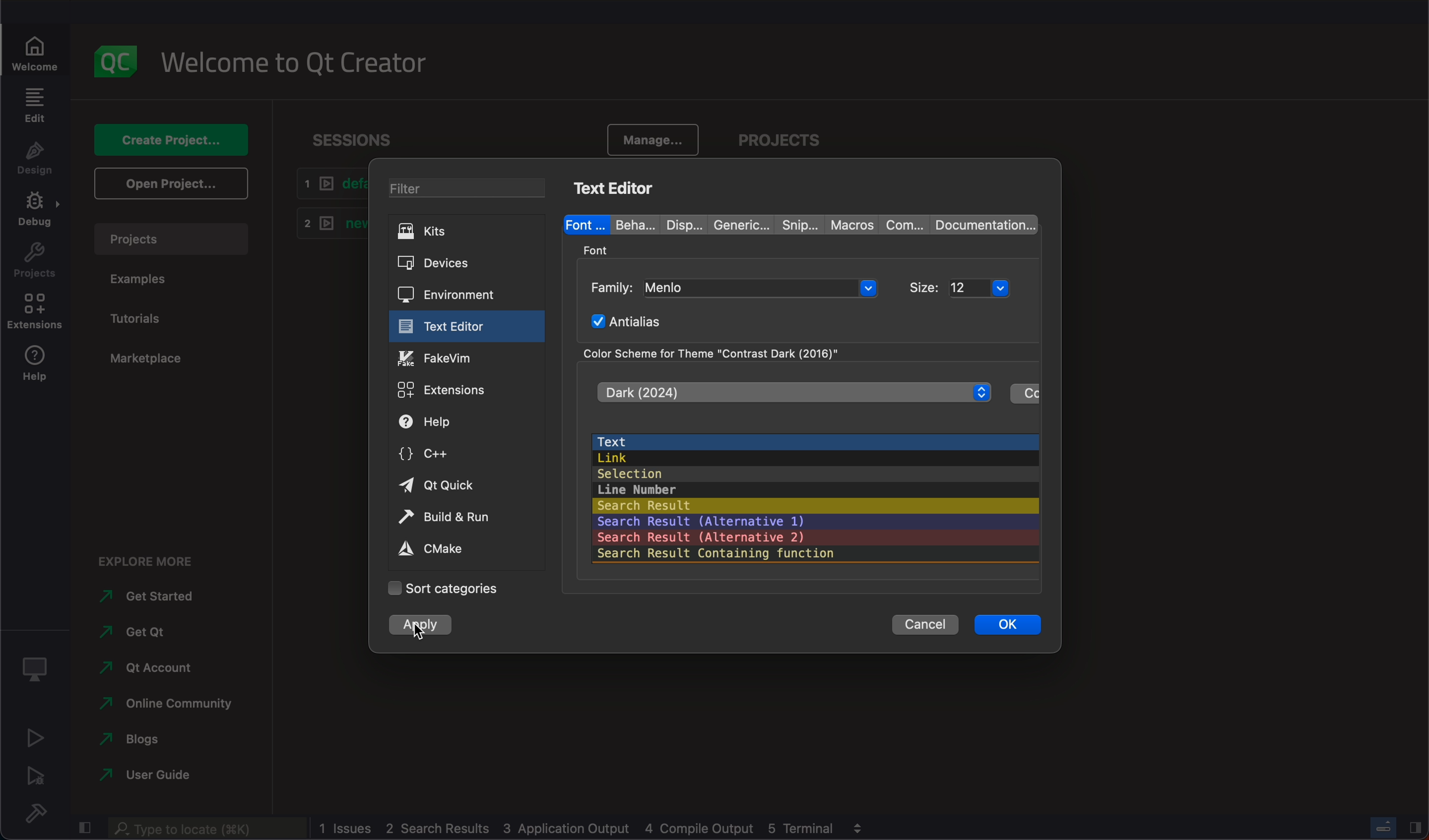 This screenshot has height=840, width=1429. What do you see at coordinates (927, 627) in the screenshot?
I see `cancel` at bounding box center [927, 627].